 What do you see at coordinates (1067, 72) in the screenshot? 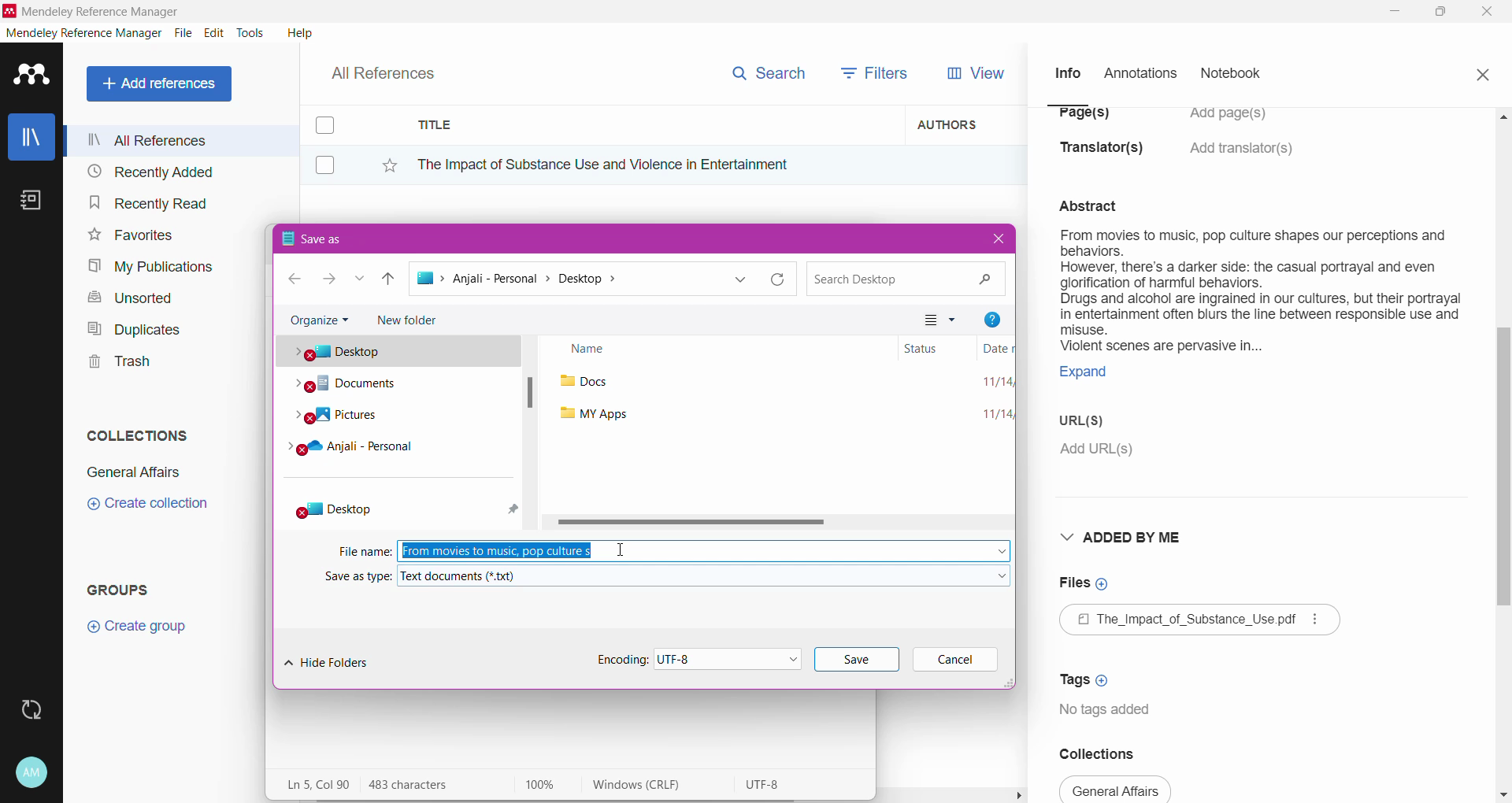
I see `Info` at bounding box center [1067, 72].